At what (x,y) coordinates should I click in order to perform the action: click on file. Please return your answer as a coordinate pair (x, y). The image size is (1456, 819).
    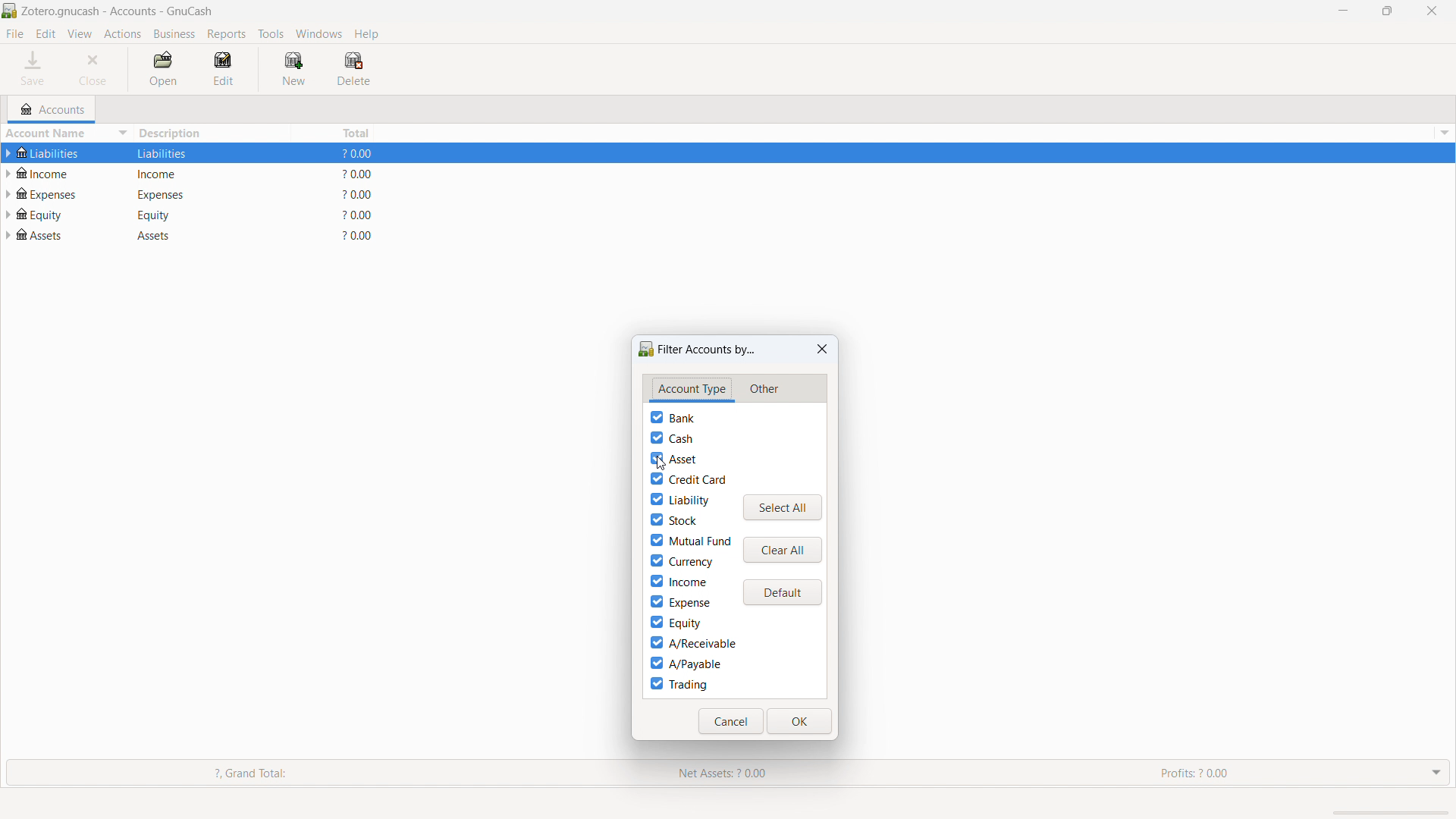
    Looking at the image, I should click on (15, 33).